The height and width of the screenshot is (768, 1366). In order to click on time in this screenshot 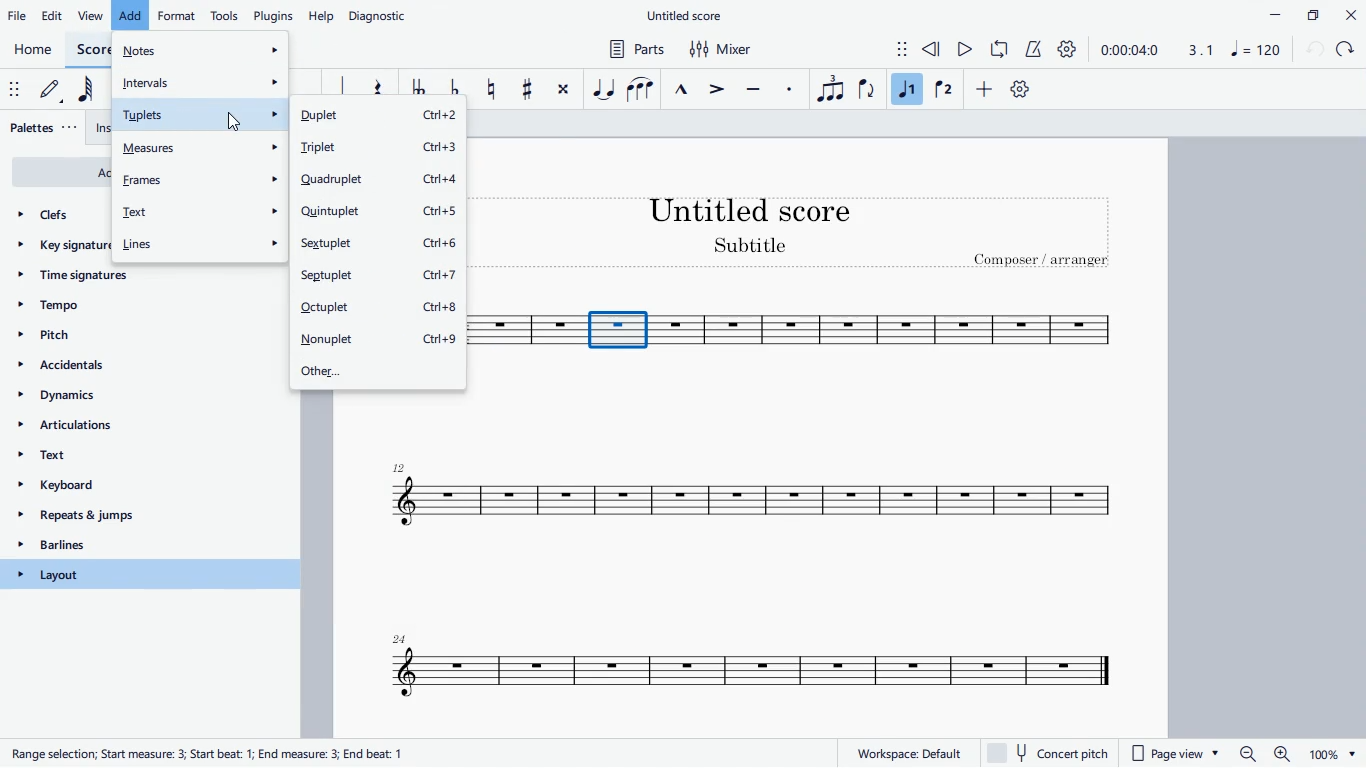, I will do `click(1129, 49)`.